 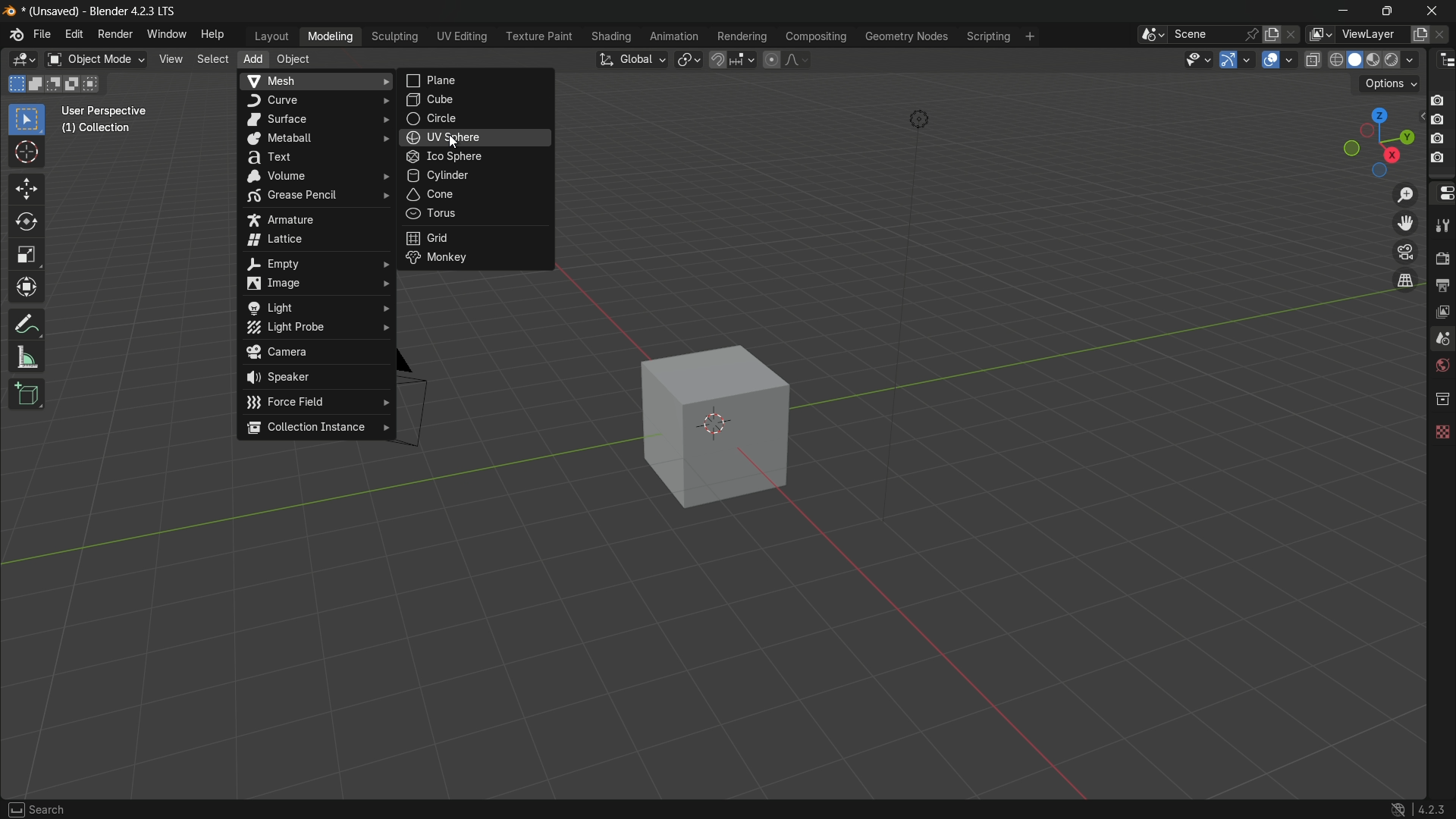 I want to click on select, so click(x=212, y=58).